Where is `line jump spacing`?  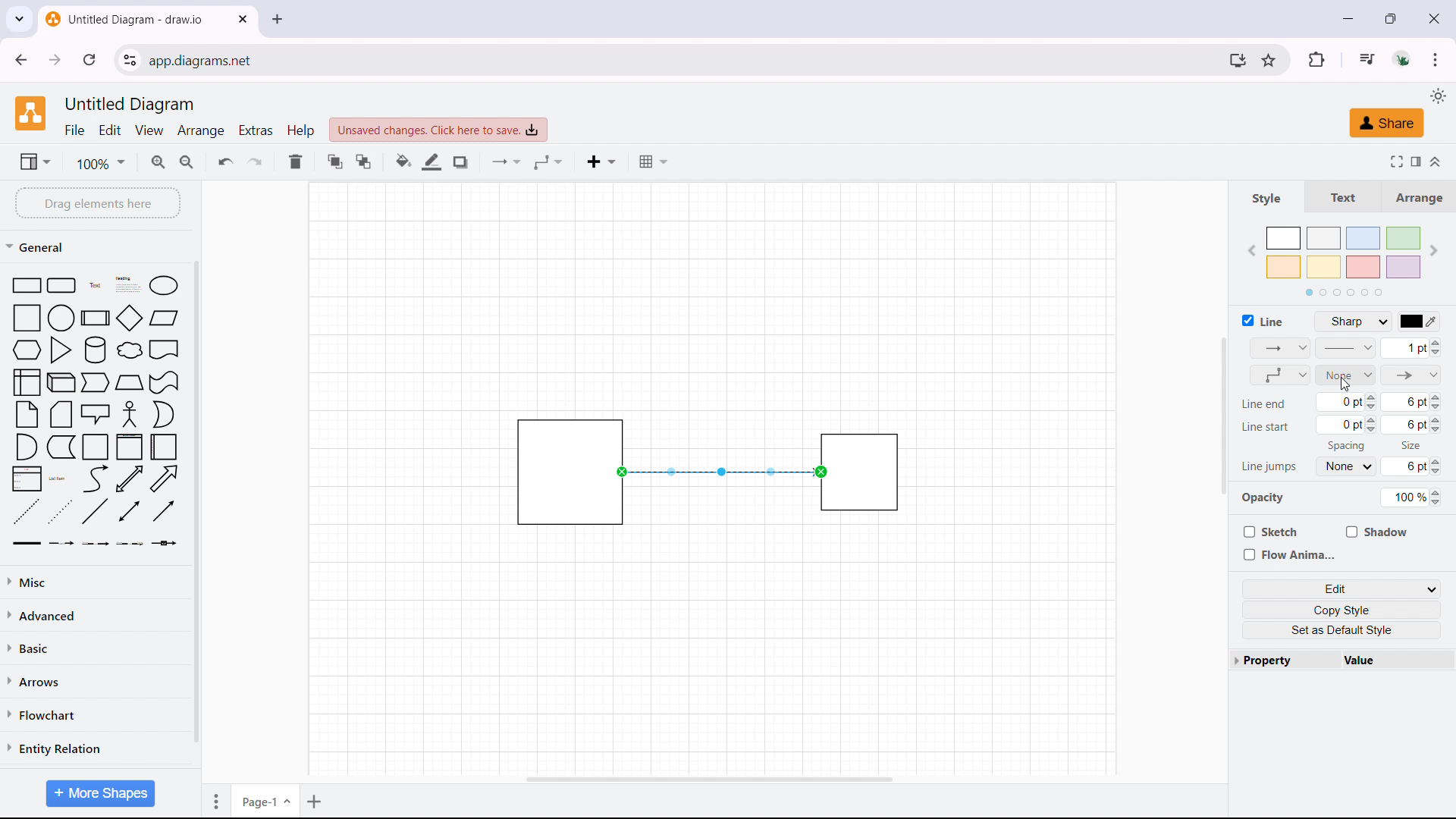 line jump spacing is located at coordinates (1348, 466).